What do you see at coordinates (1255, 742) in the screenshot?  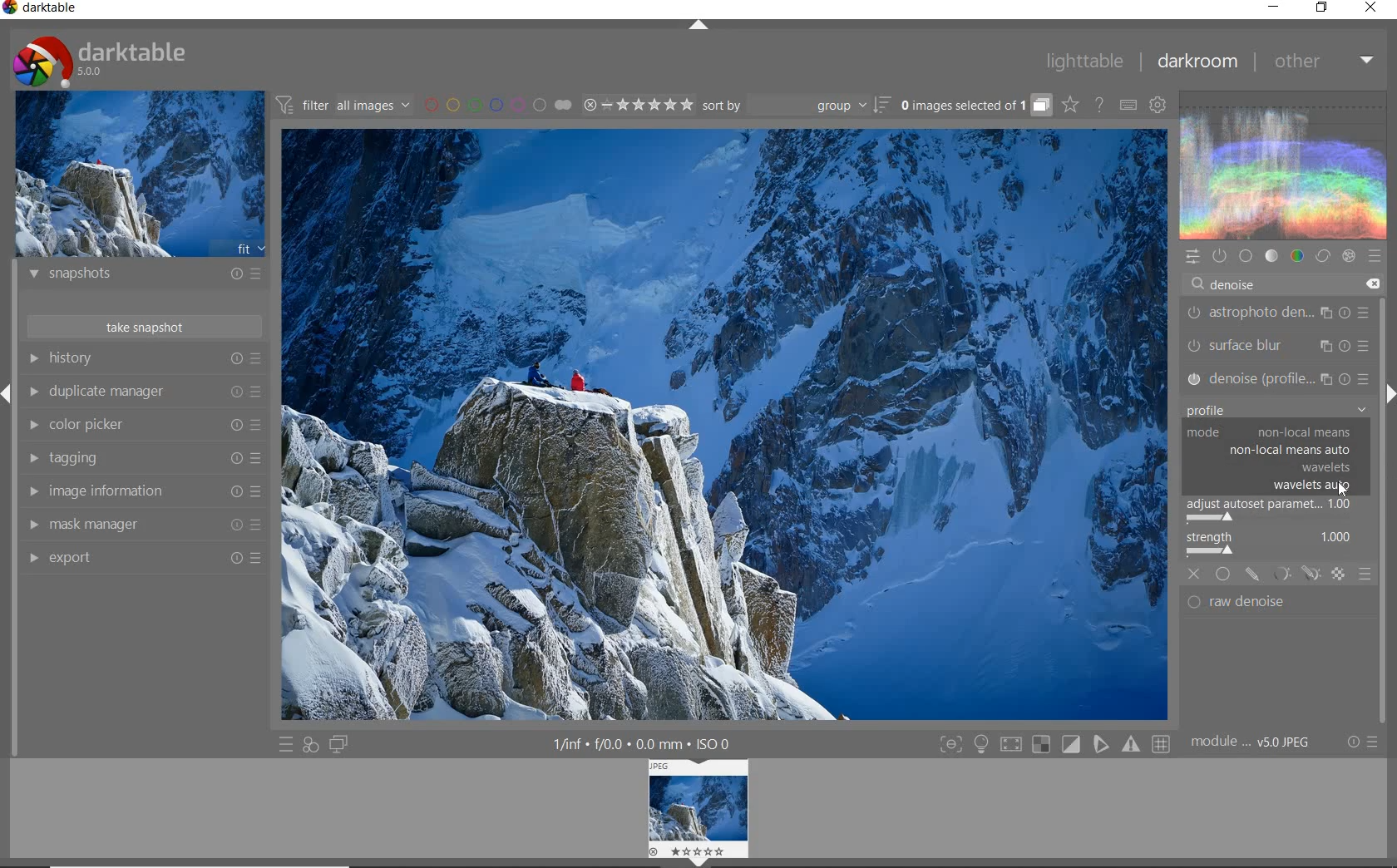 I see `module..v50JPEG` at bounding box center [1255, 742].